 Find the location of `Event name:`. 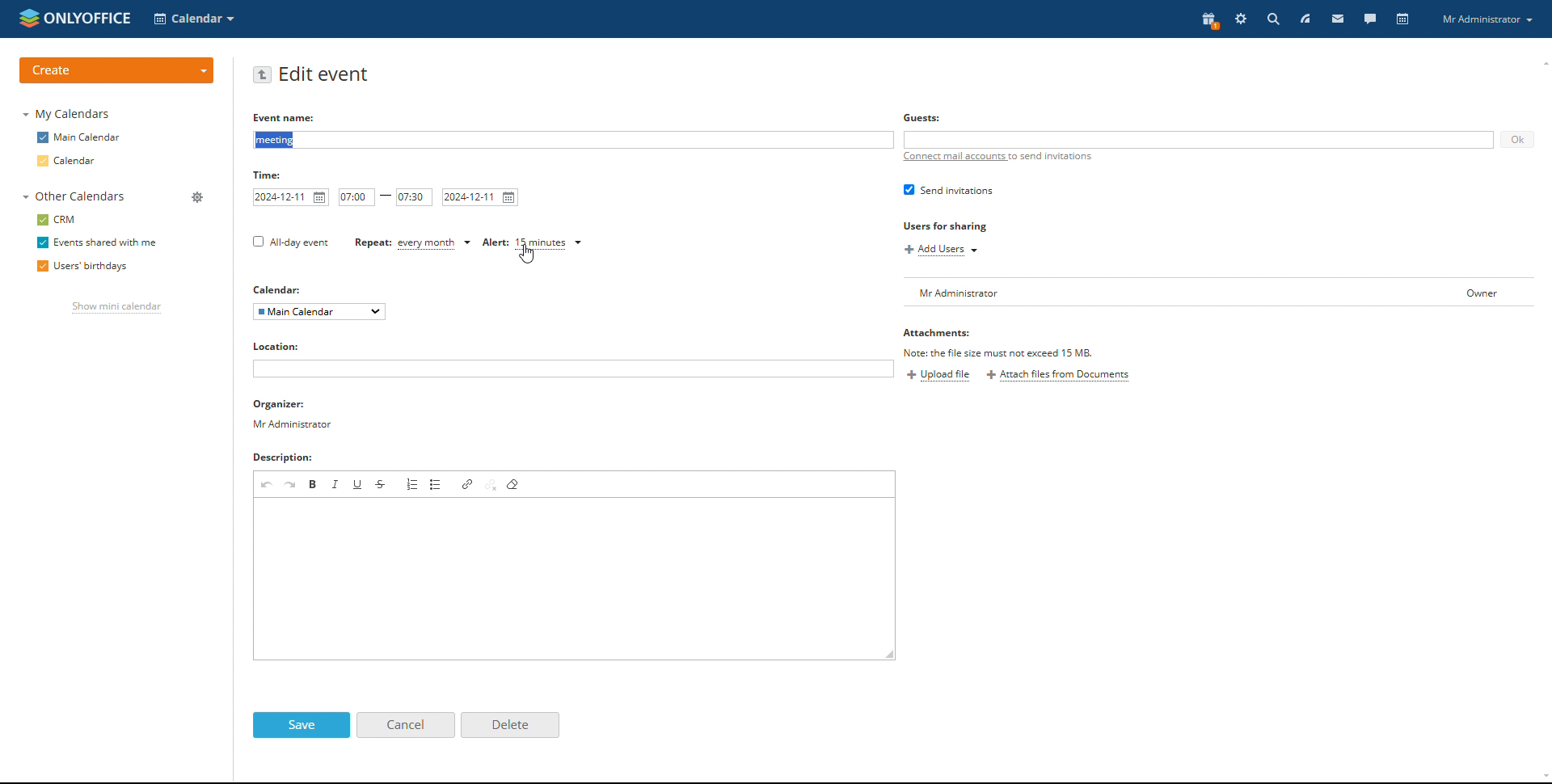

Event name: is located at coordinates (280, 118).